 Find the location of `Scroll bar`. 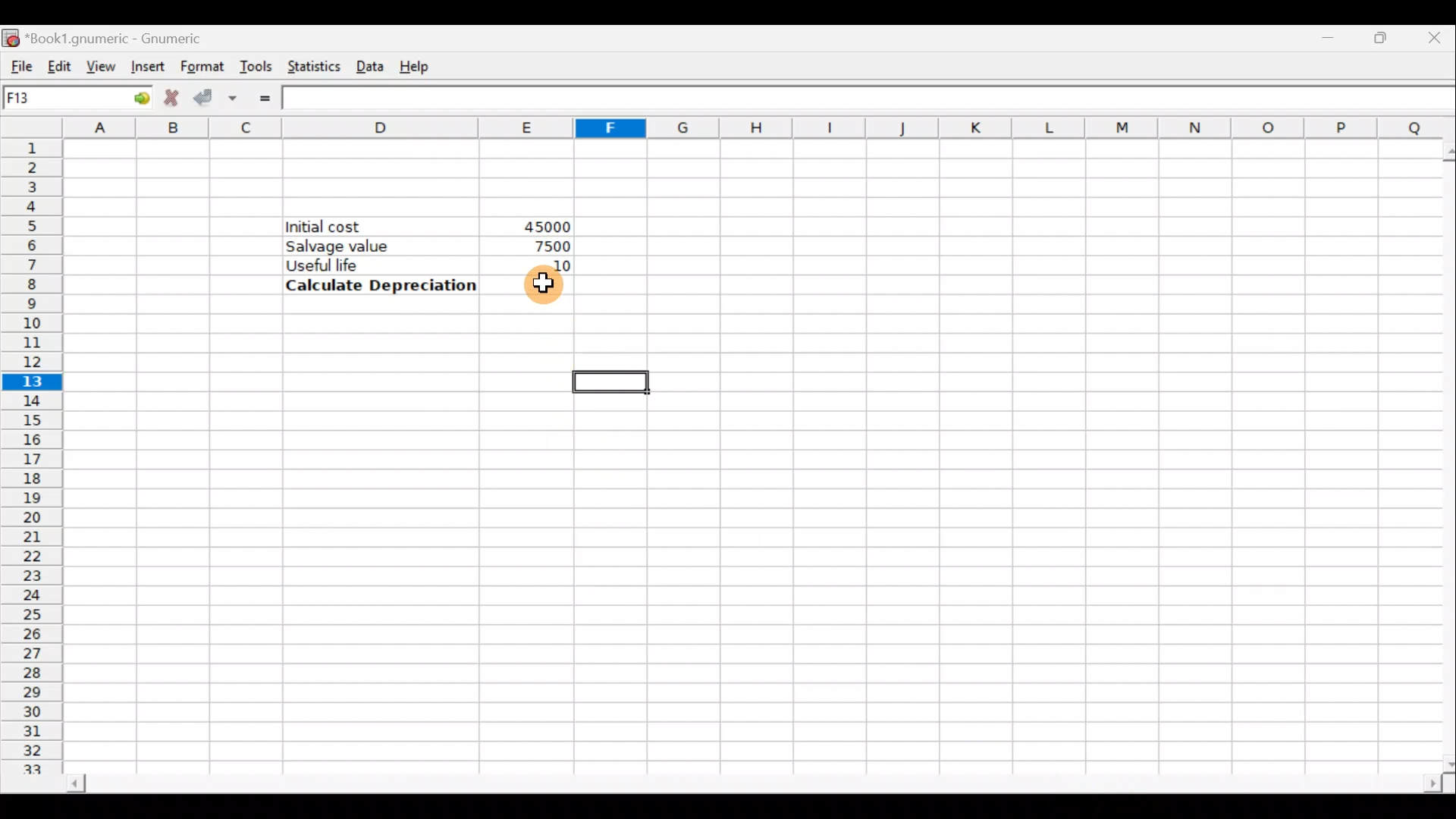

Scroll bar is located at coordinates (1442, 452).